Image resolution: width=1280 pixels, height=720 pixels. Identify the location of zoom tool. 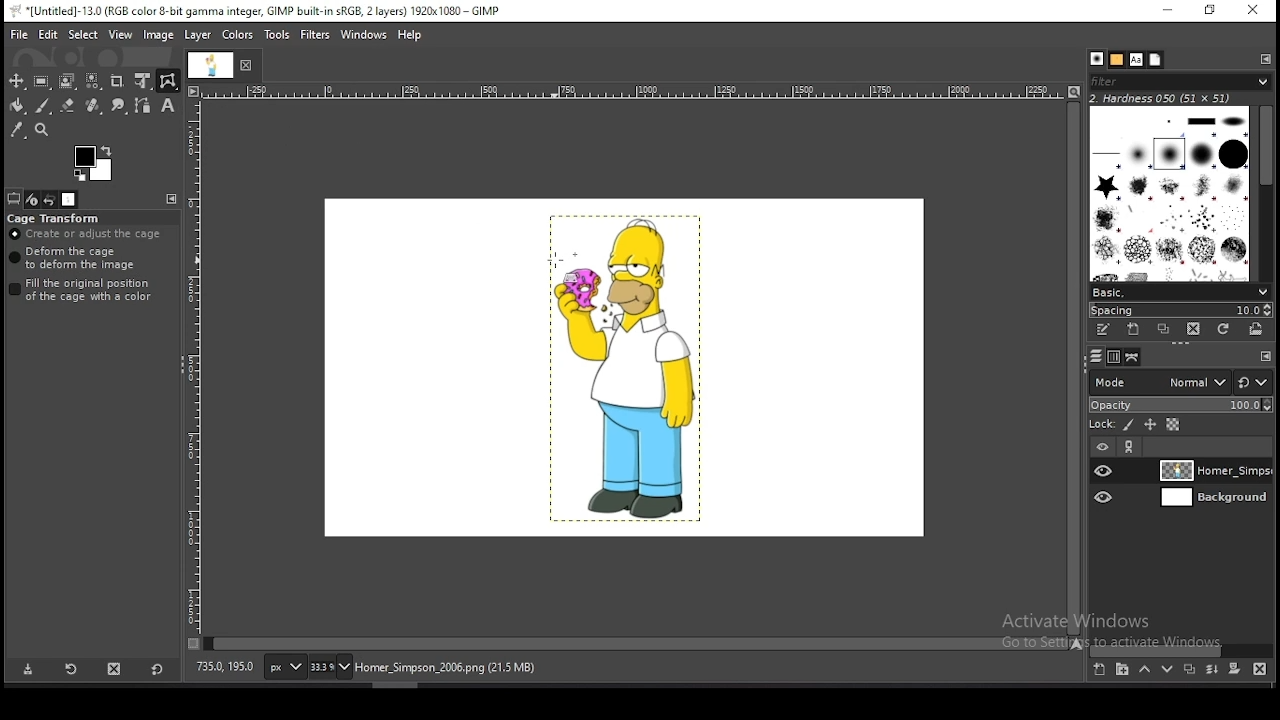
(41, 129).